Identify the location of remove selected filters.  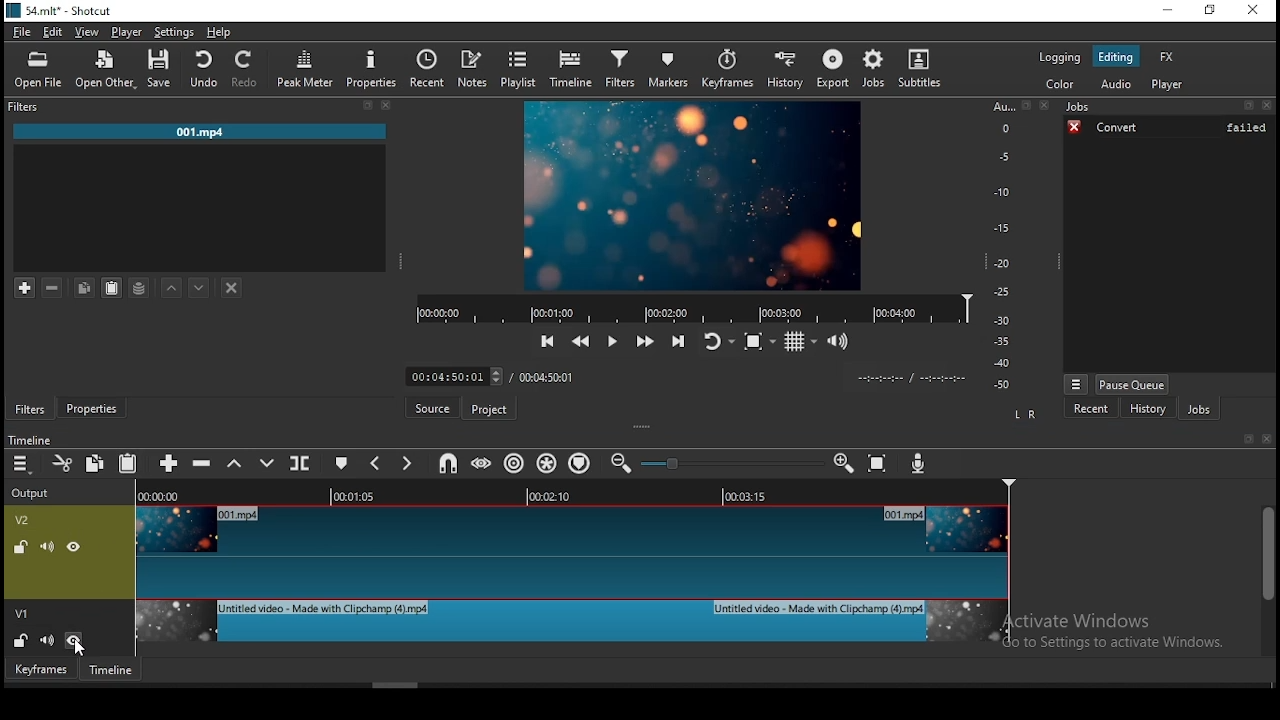
(56, 286).